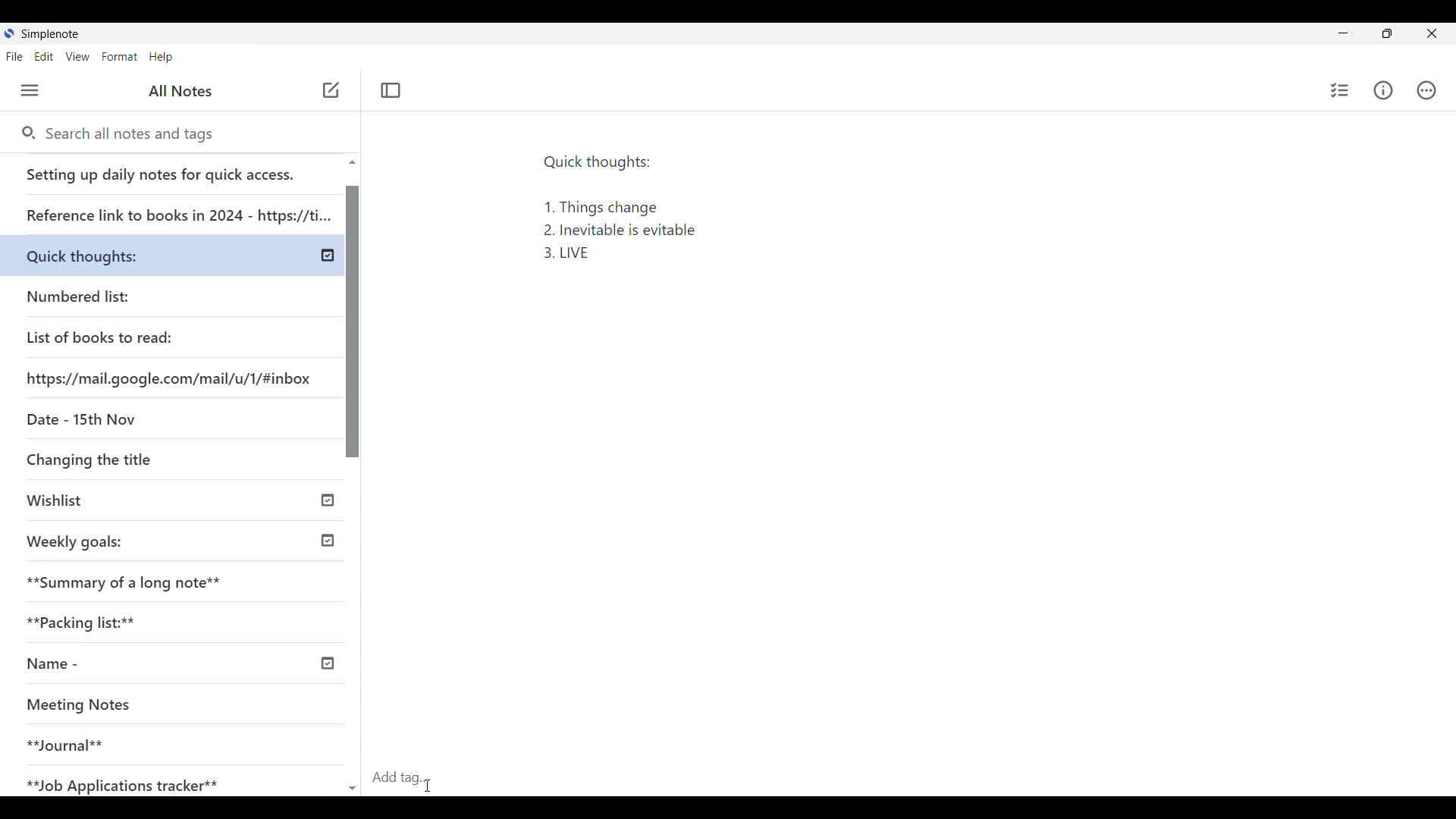  Describe the element at coordinates (10, 33) in the screenshot. I see `Software logo` at that location.